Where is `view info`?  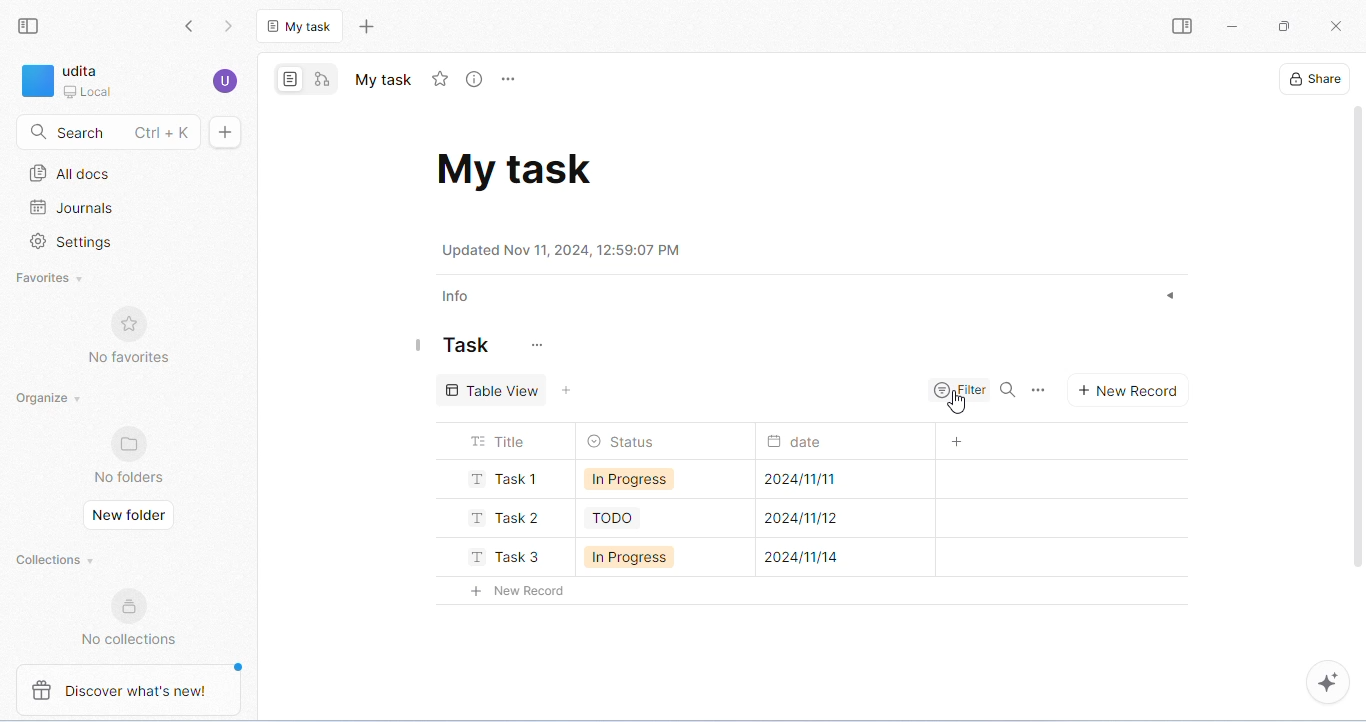 view info is located at coordinates (477, 80).